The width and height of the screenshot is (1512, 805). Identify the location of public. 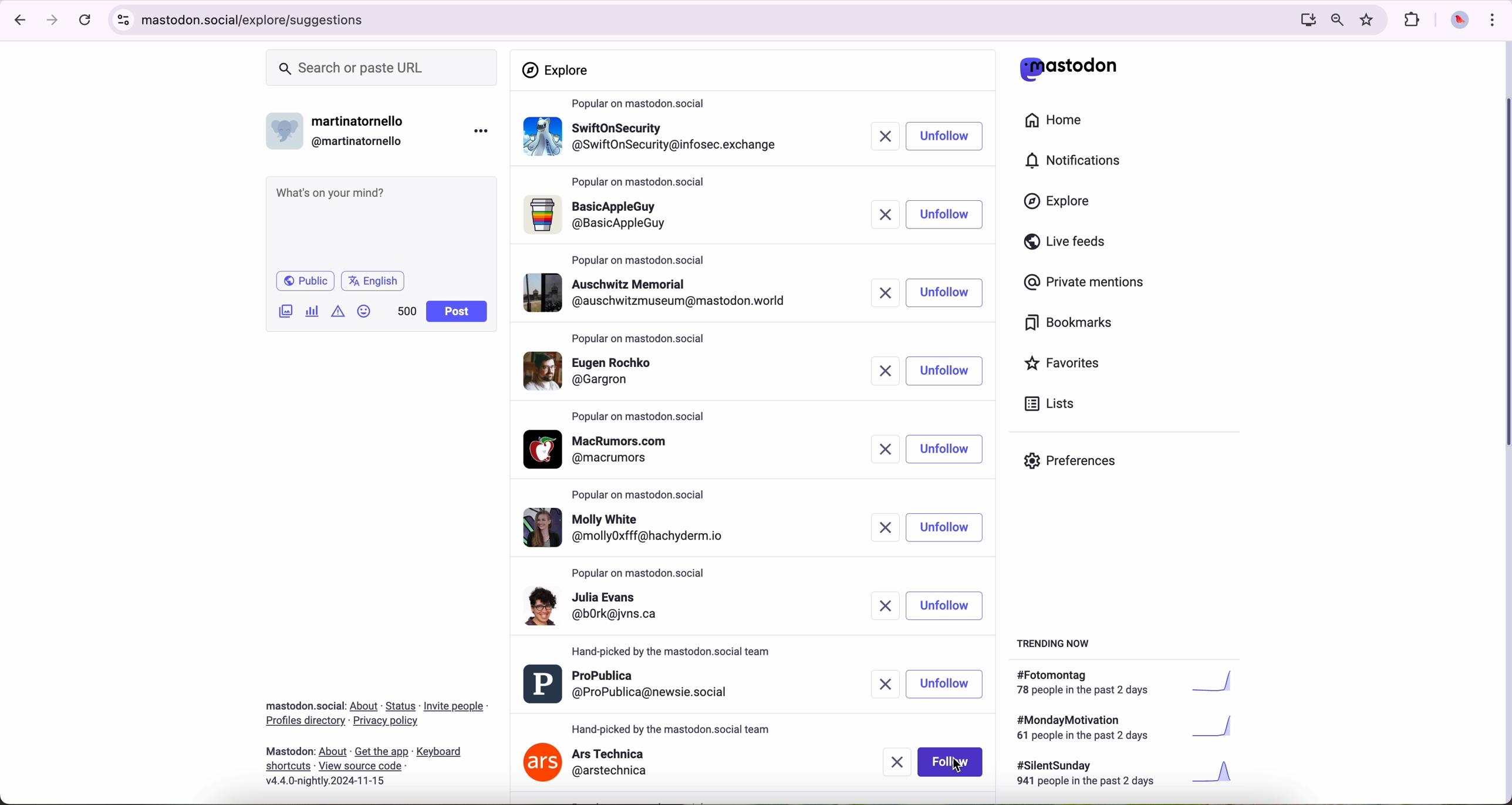
(304, 281).